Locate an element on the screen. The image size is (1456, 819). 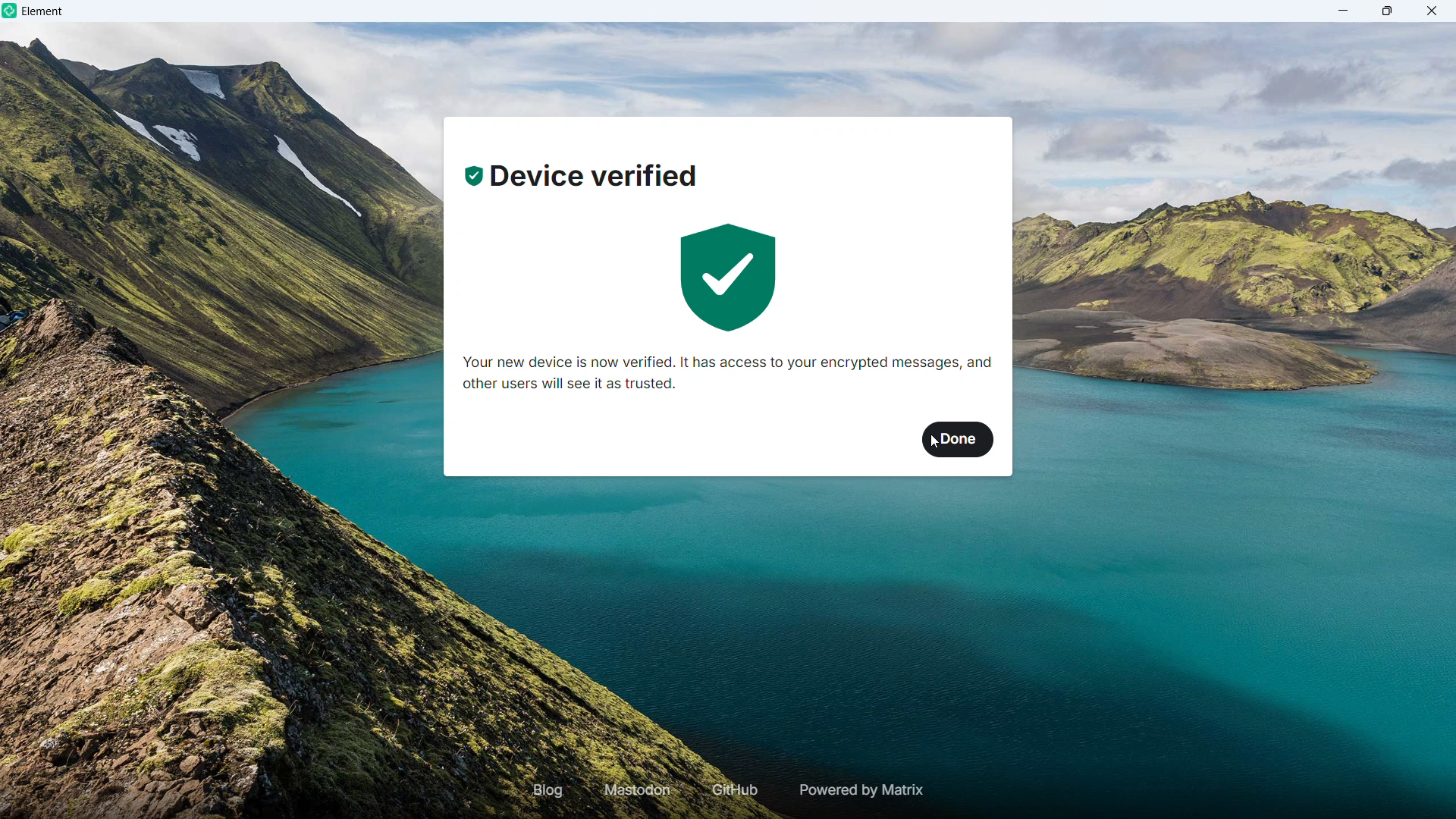
close  is located at coordinates (1431, 11).